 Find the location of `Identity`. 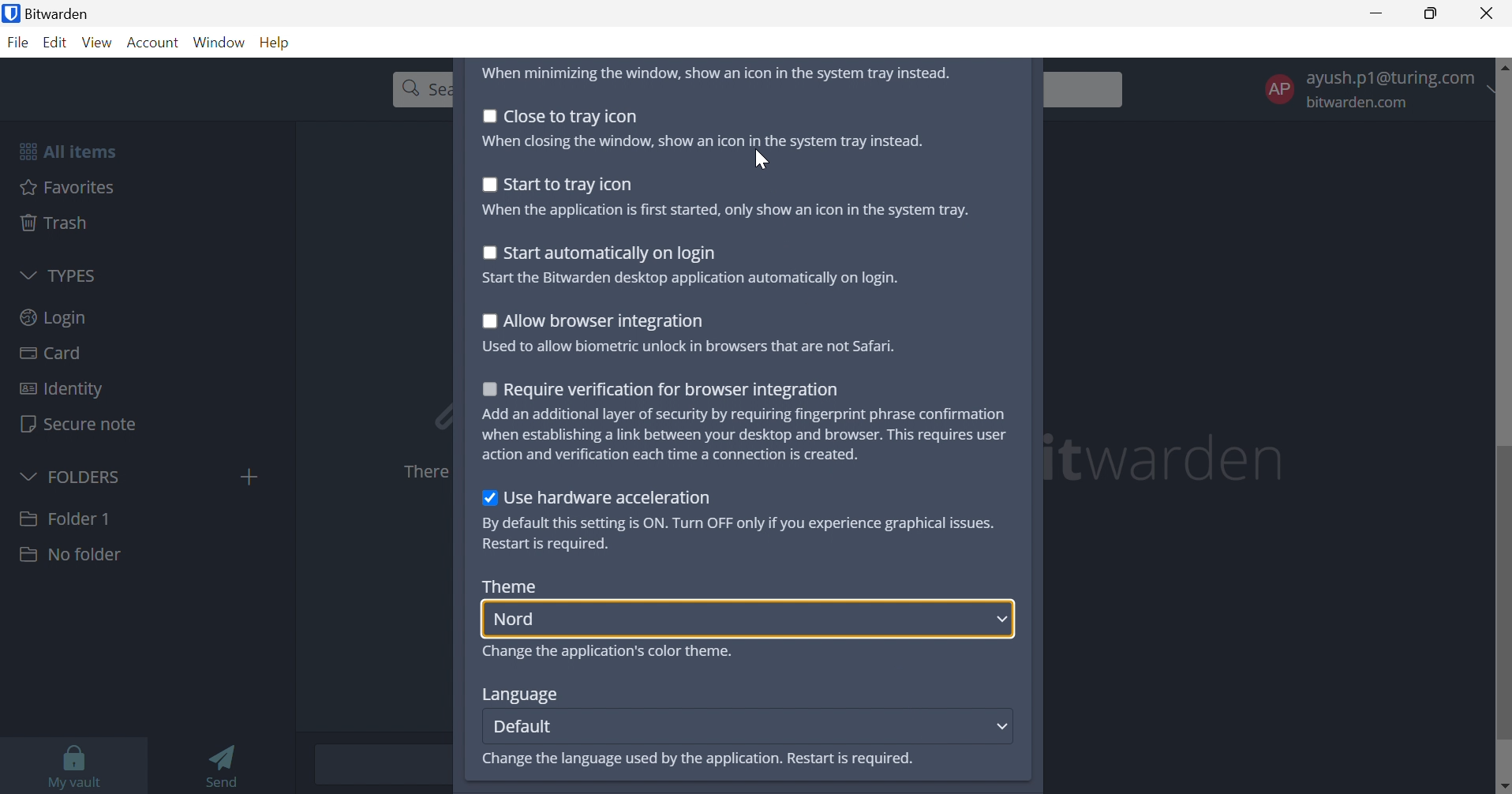

Identity is located at coordinates (60, 389).